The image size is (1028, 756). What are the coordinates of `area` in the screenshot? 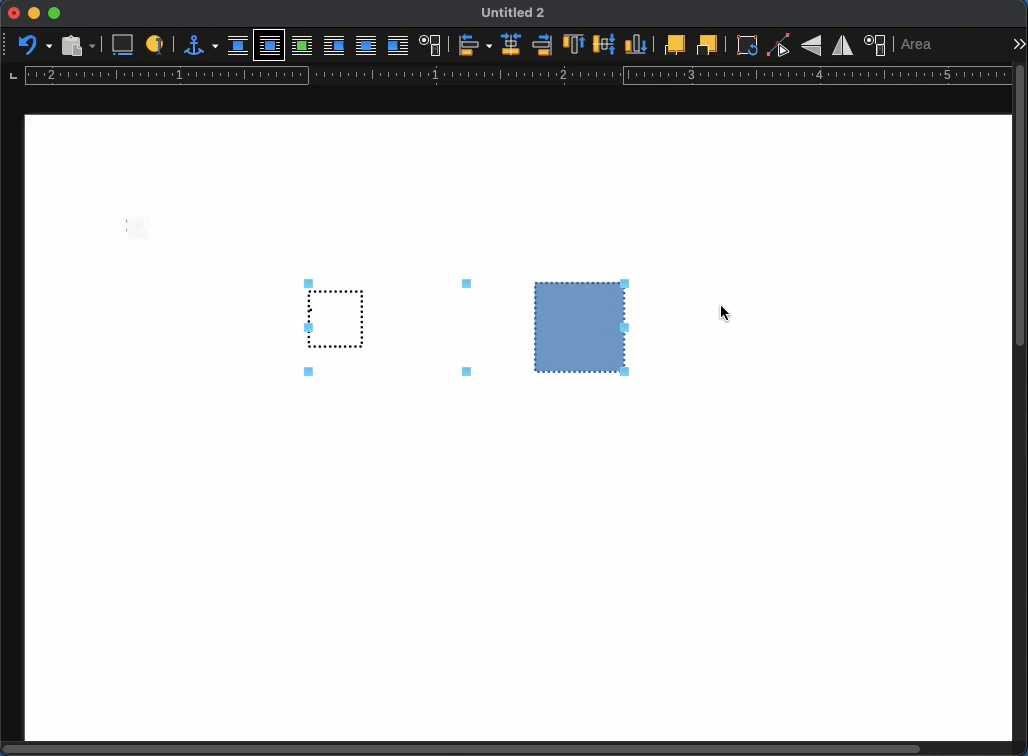 It's located at (919, 44).